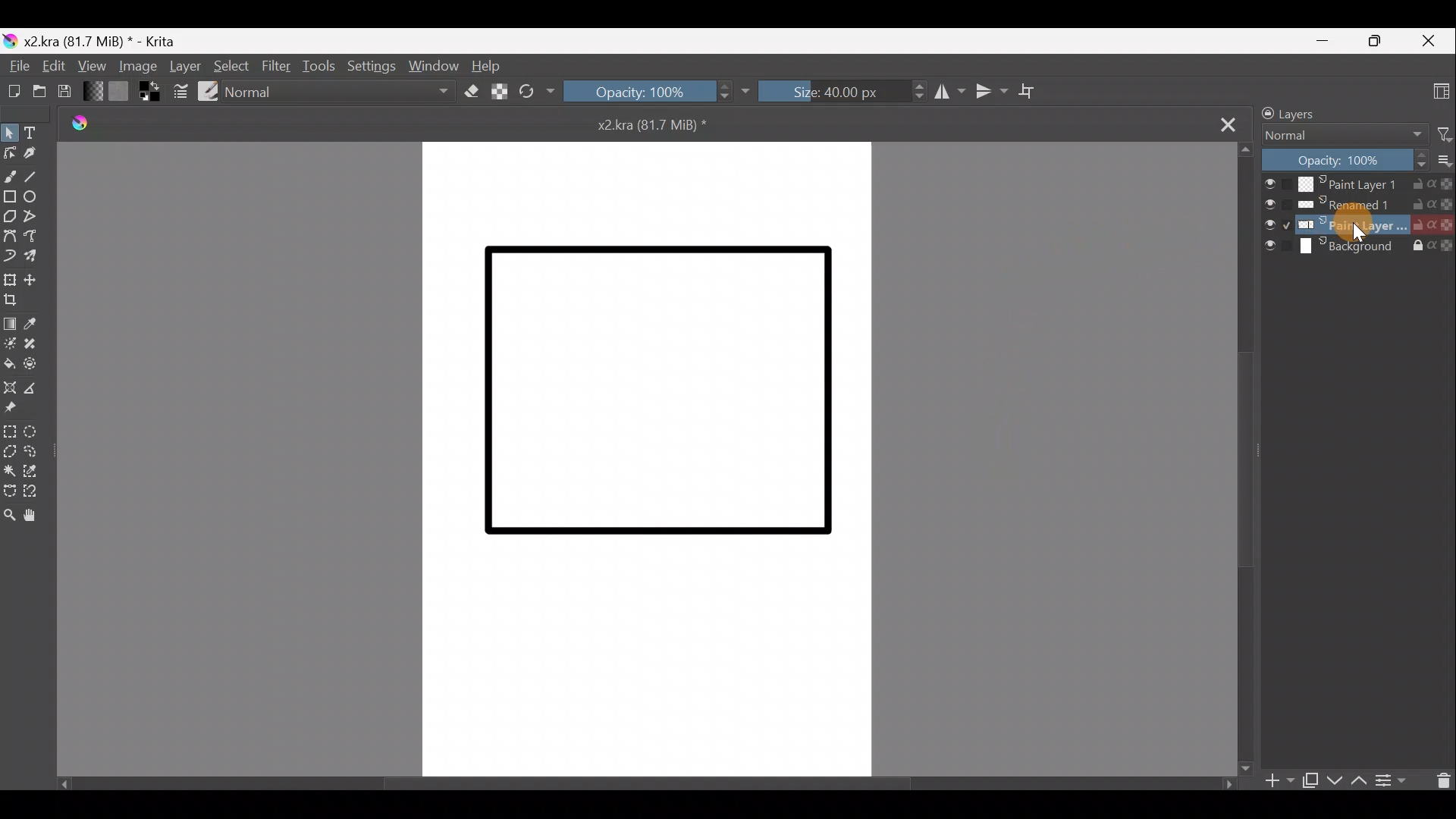 The height and width of the screenshot is (819, 1456). Describe the element at coordinates (1429, 42) in the screenshot. I see `Close` at that location.